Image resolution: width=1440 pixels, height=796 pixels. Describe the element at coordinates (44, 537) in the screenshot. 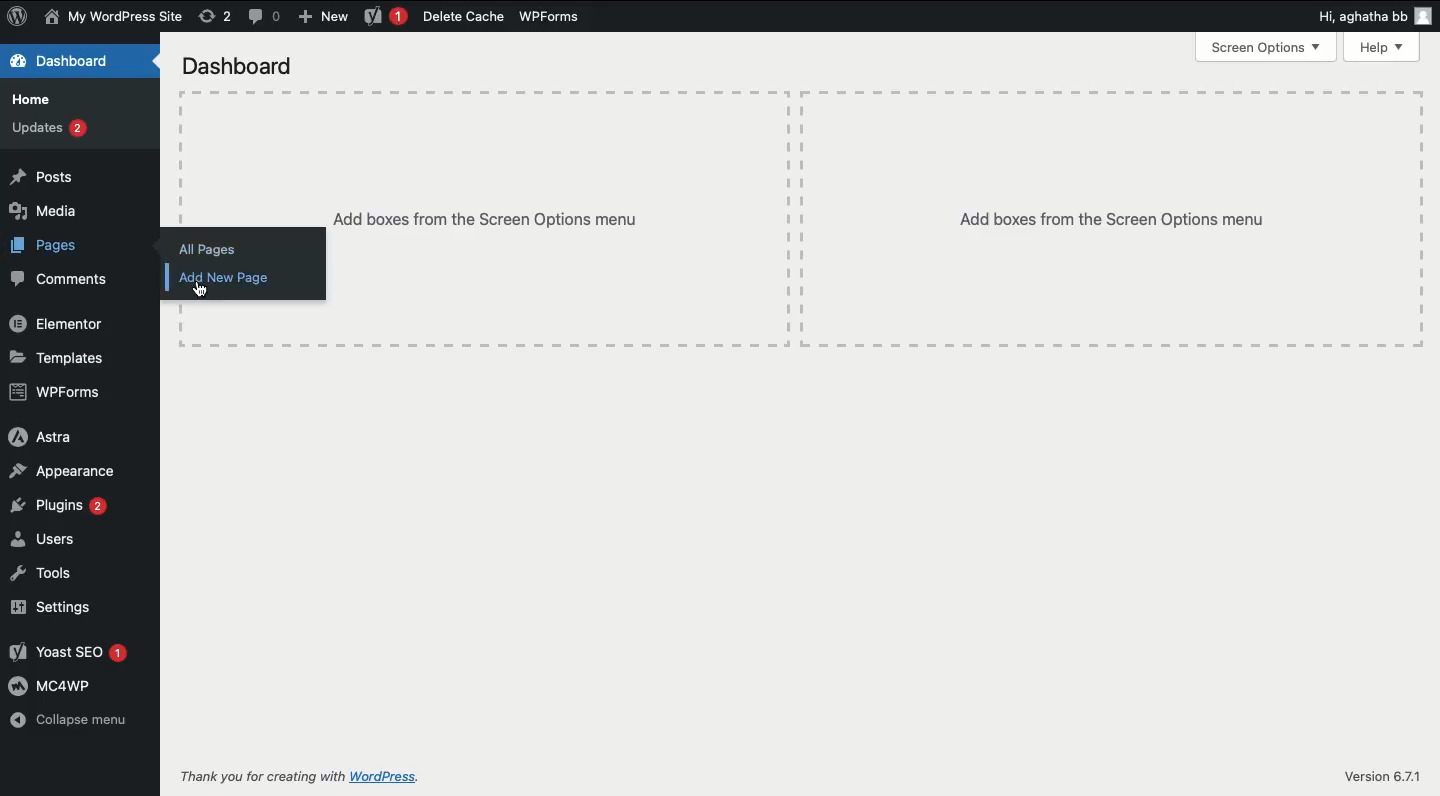

I see `Users` at that location.